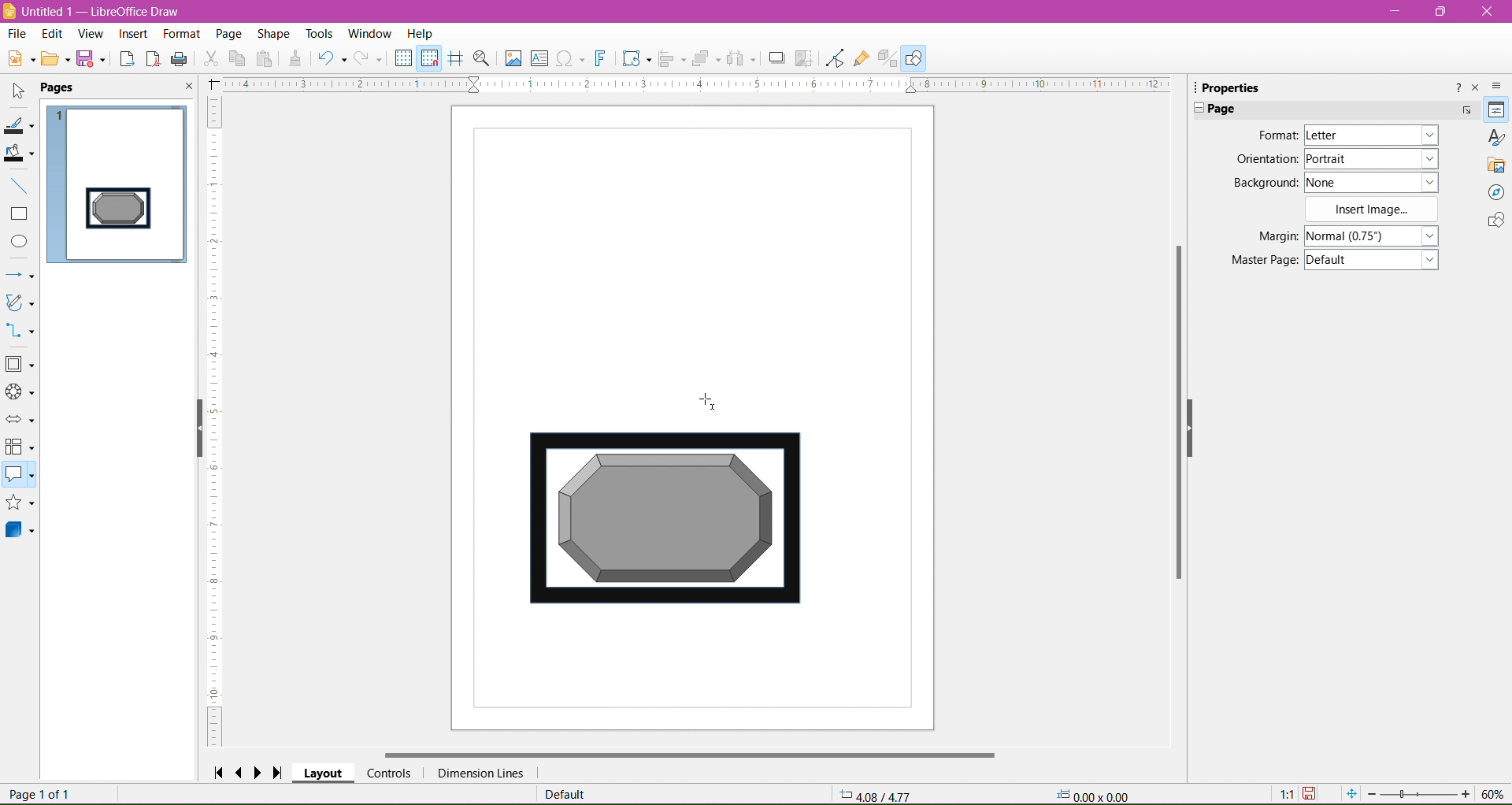 The image size is (1512, 805). Describe the element at coordinates (20, 476) in the screenshot. I see `Callout Shapes` at that location.